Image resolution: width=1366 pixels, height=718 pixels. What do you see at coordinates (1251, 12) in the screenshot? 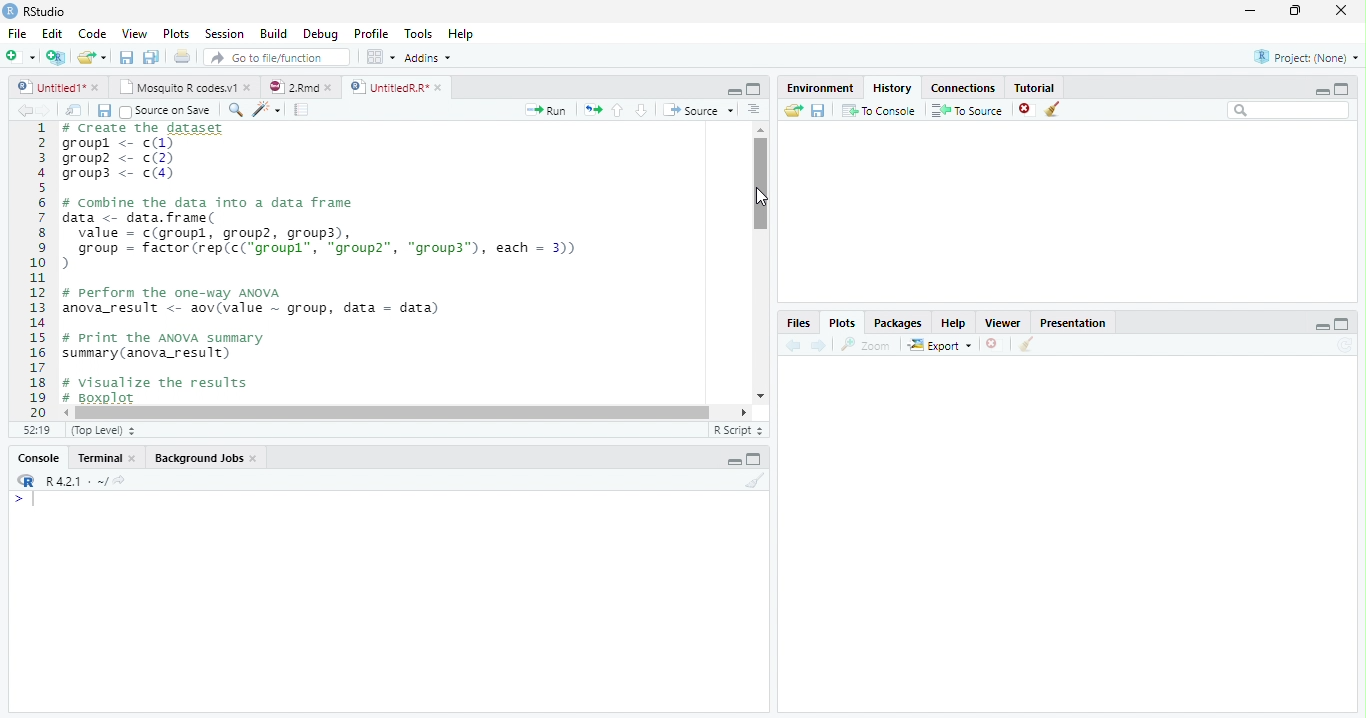
I see `Minimize` at bounding box center [1251, 12].